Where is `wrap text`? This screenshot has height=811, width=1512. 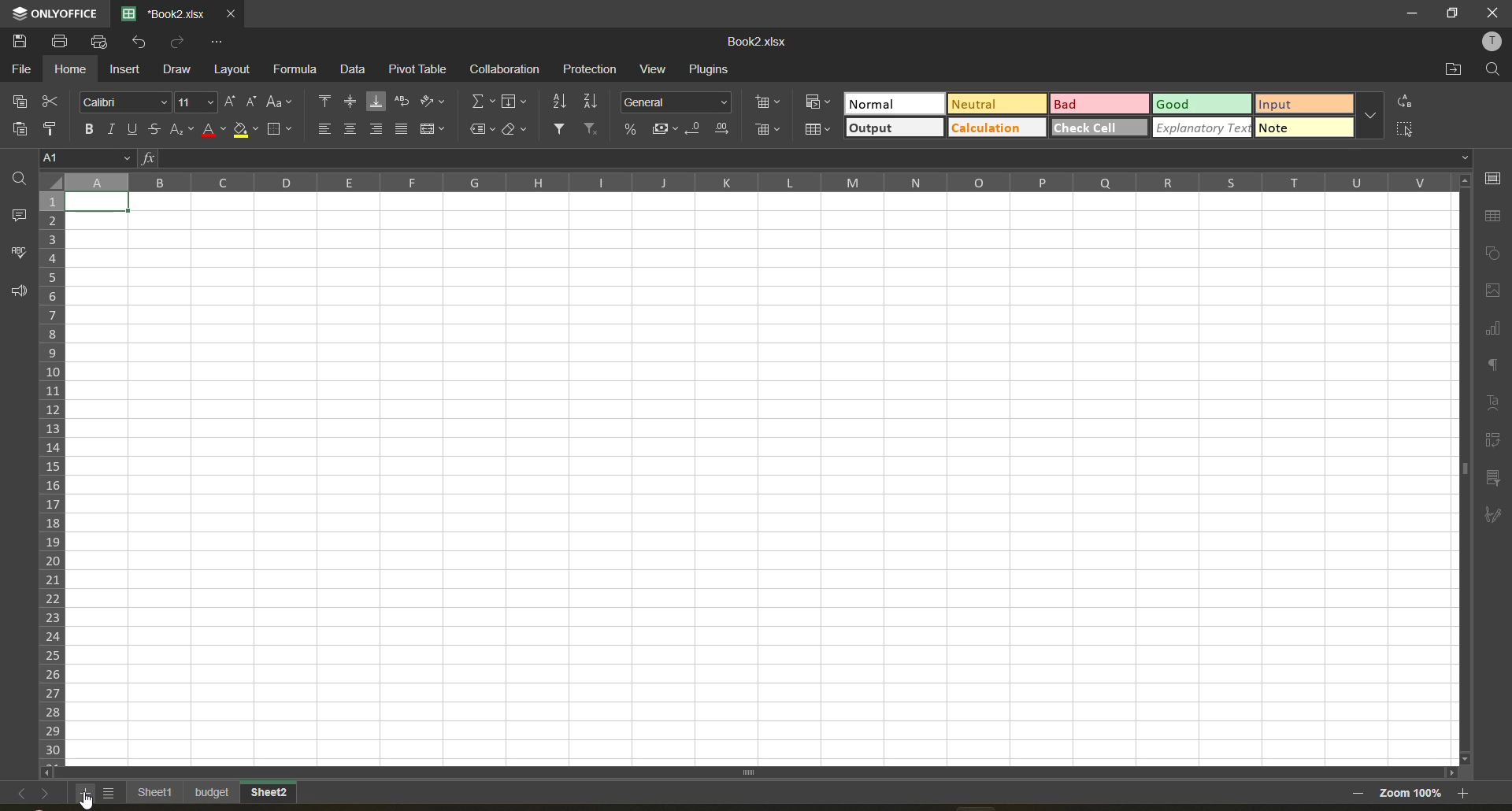 wrap text is located at coordinates (406, 102).